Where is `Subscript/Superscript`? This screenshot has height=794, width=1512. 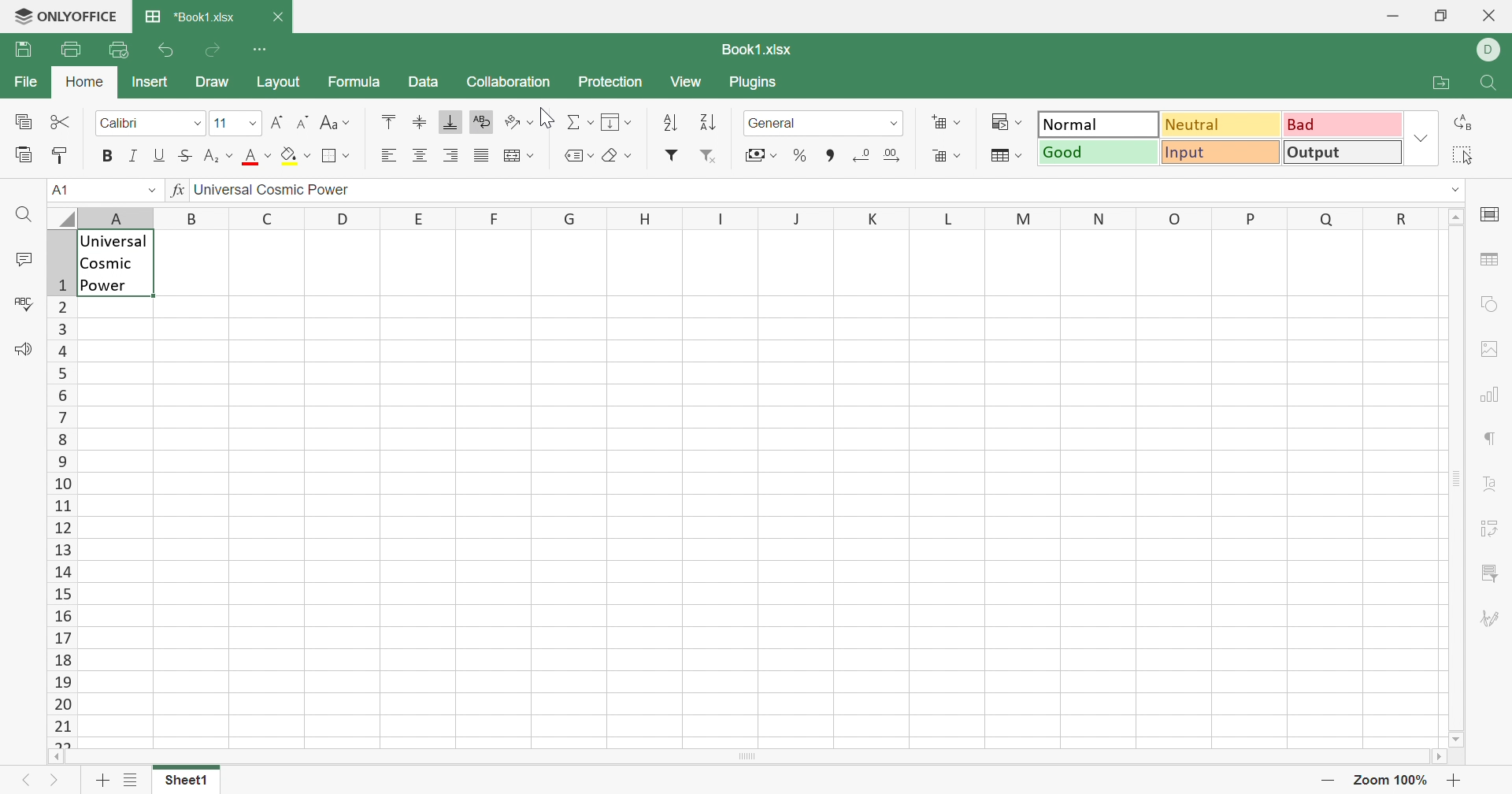 Subscript/Superscript is located at coordinates (218, 156).